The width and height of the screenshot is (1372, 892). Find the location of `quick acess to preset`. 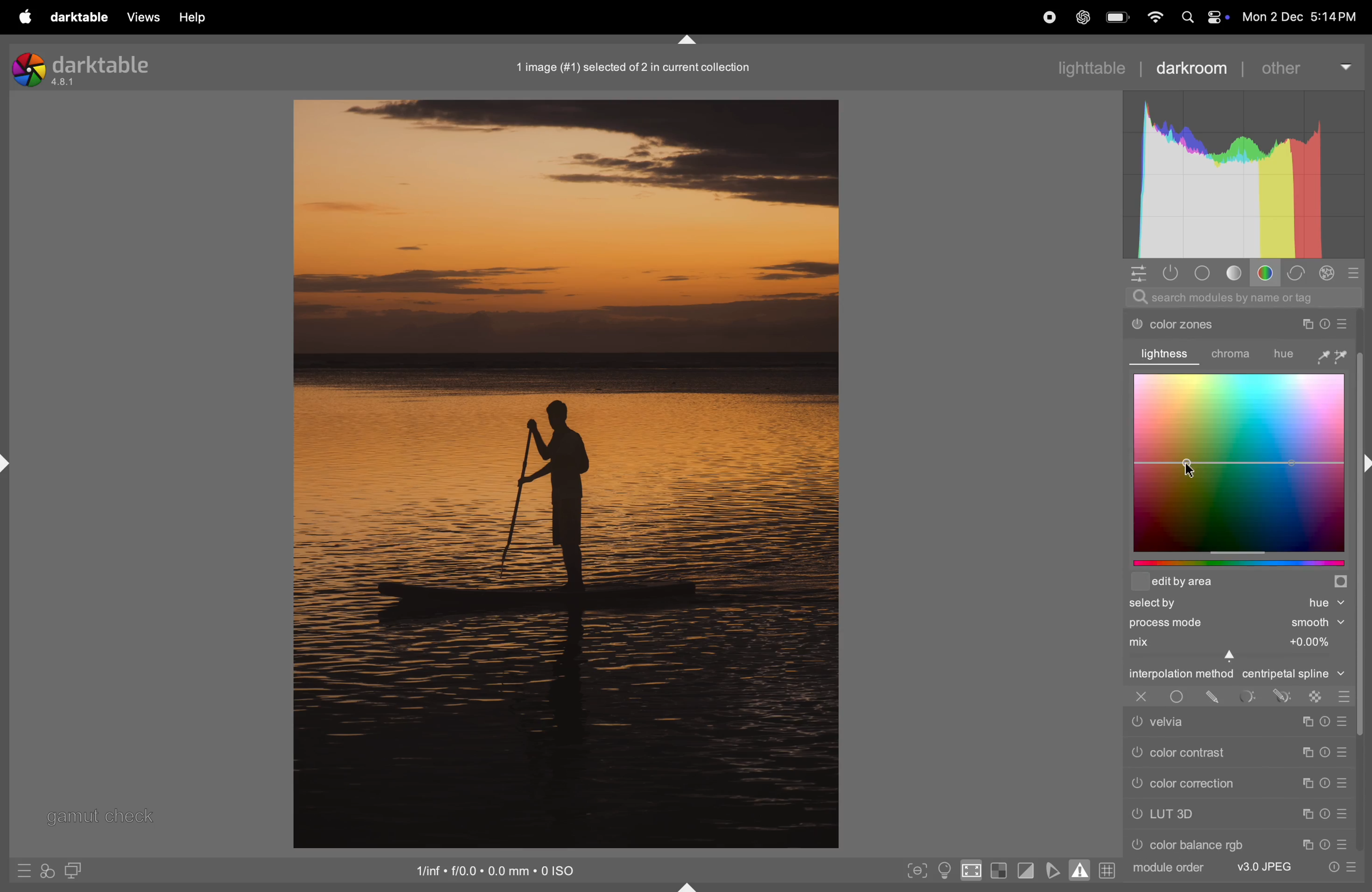

quick acess to preset is located at coordinates (1338, 868).